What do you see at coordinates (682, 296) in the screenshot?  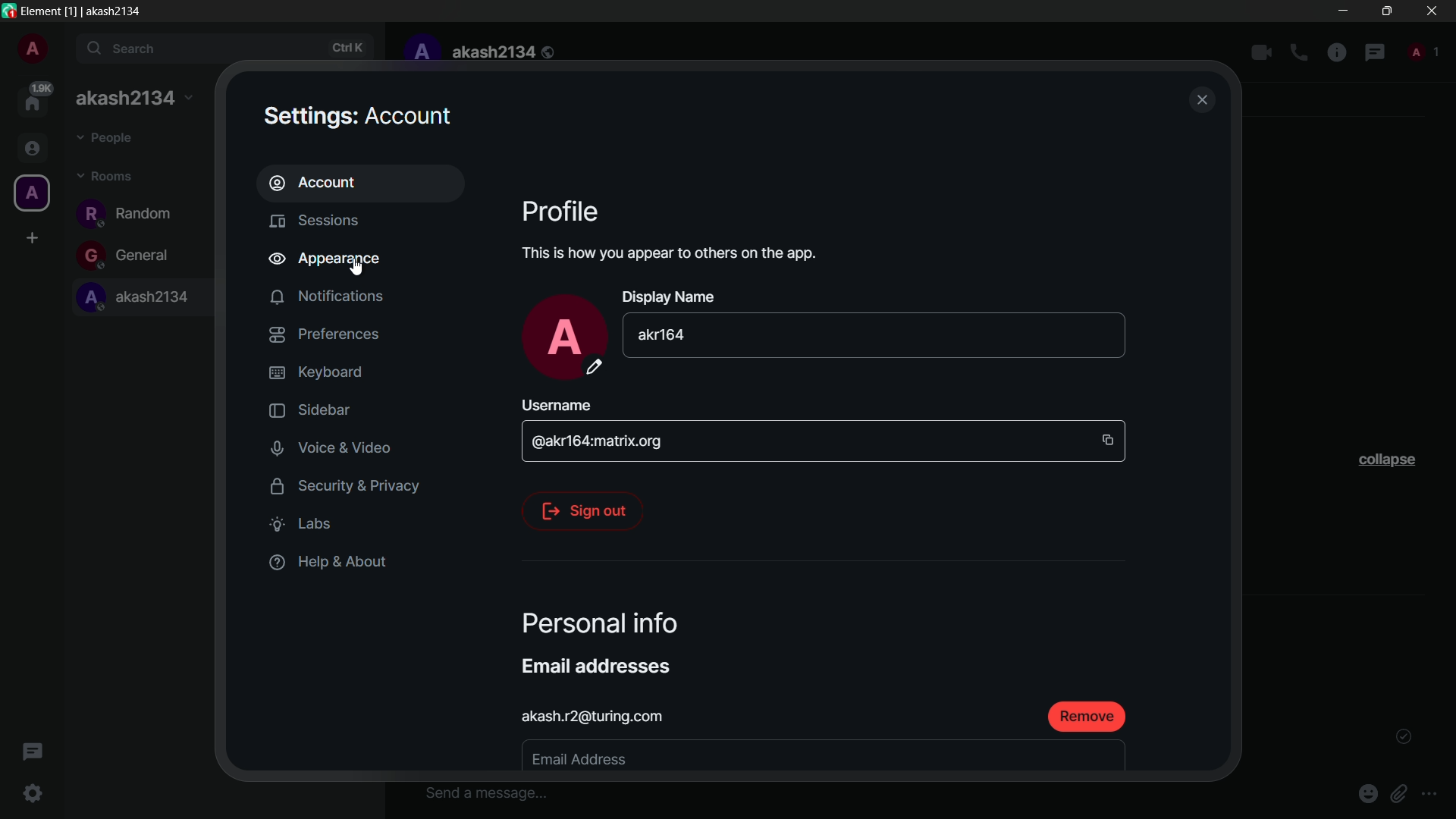 I see `Display Name` at bounding box center [682, 296].